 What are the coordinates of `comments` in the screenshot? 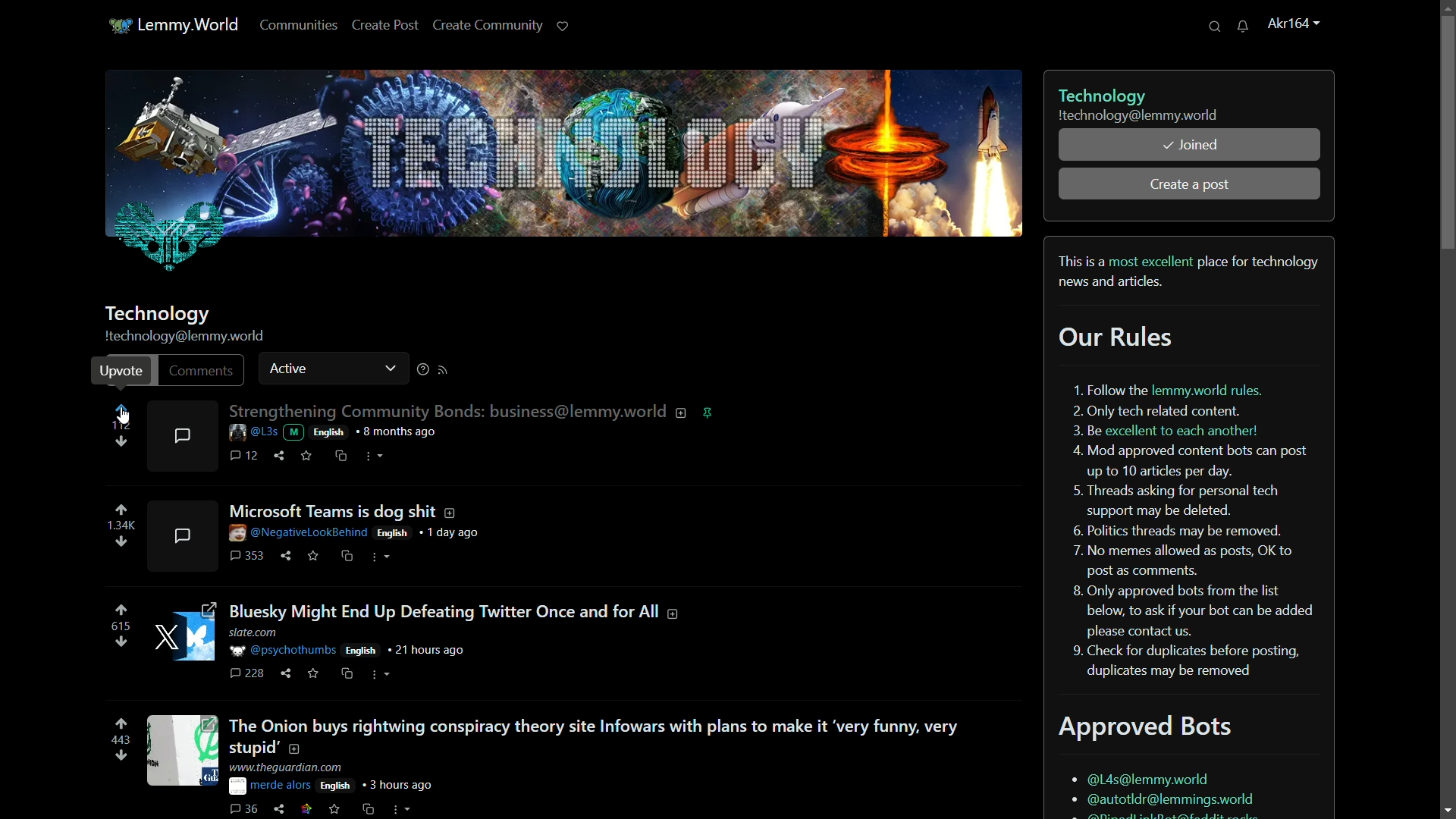 It's located at (247, 808).